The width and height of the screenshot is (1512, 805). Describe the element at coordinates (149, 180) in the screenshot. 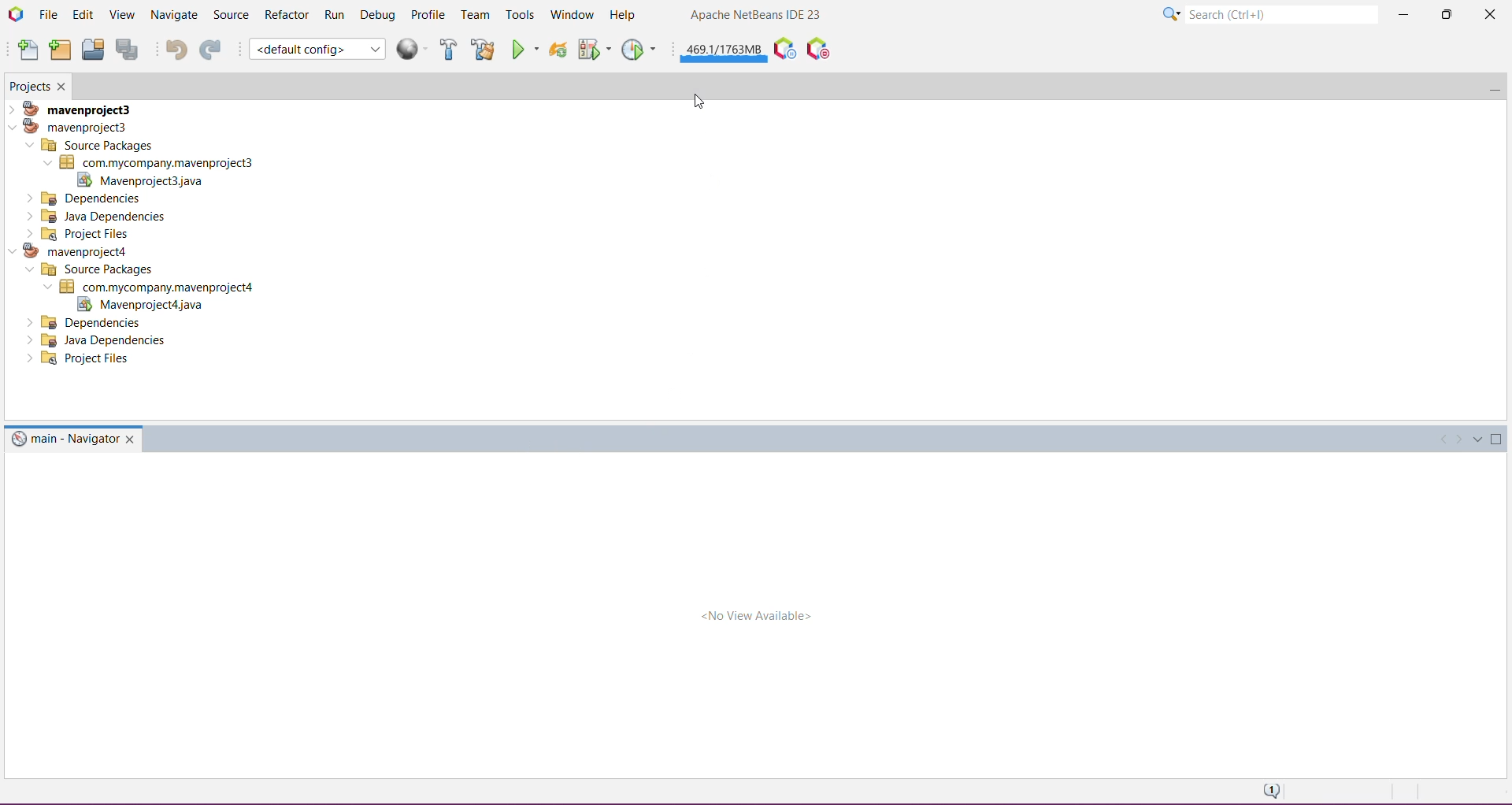

I see `Mavenproject3.java` at that location.